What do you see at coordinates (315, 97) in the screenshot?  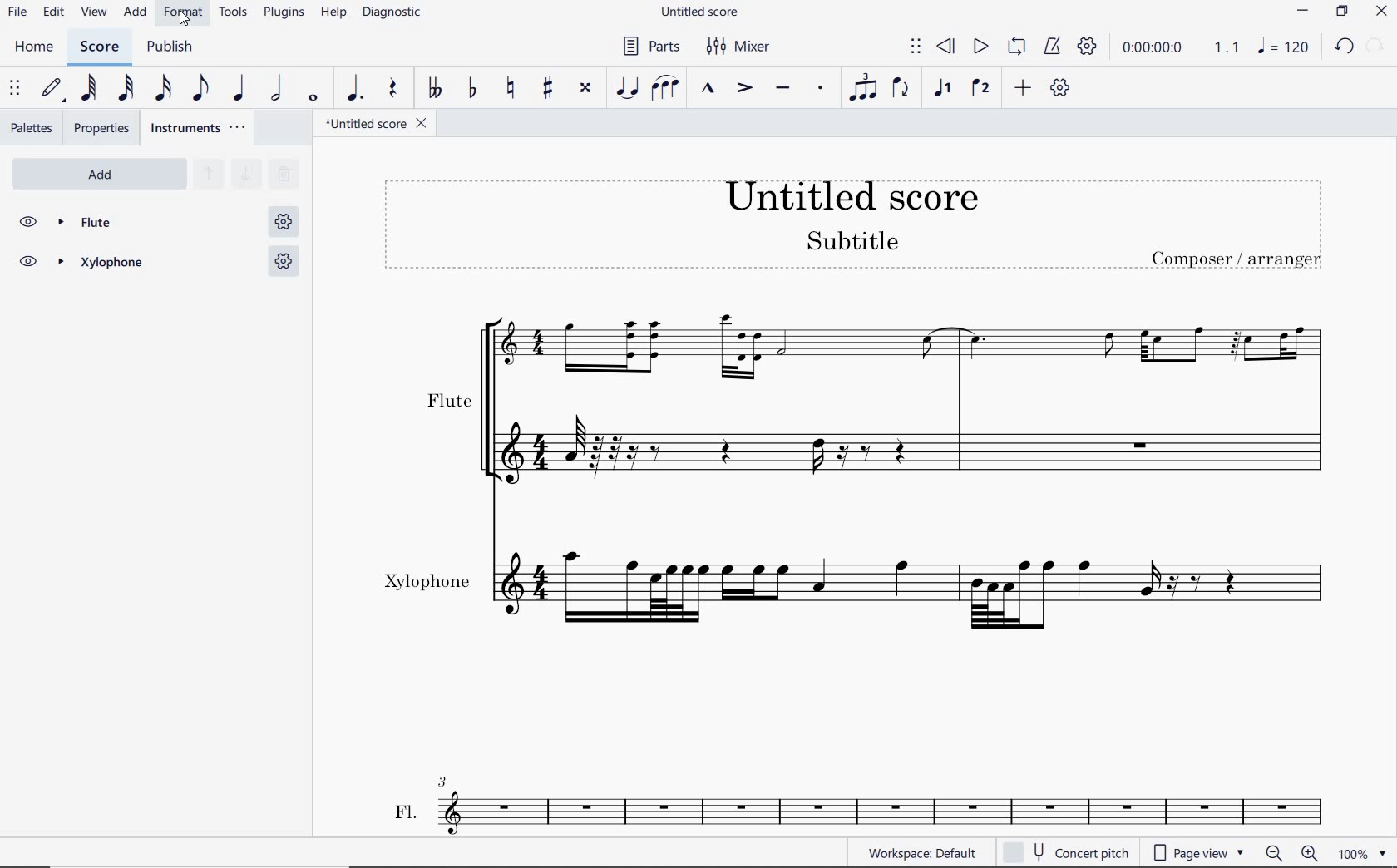 I see `WHOLE NOTE` at bounding box center [315, 97].